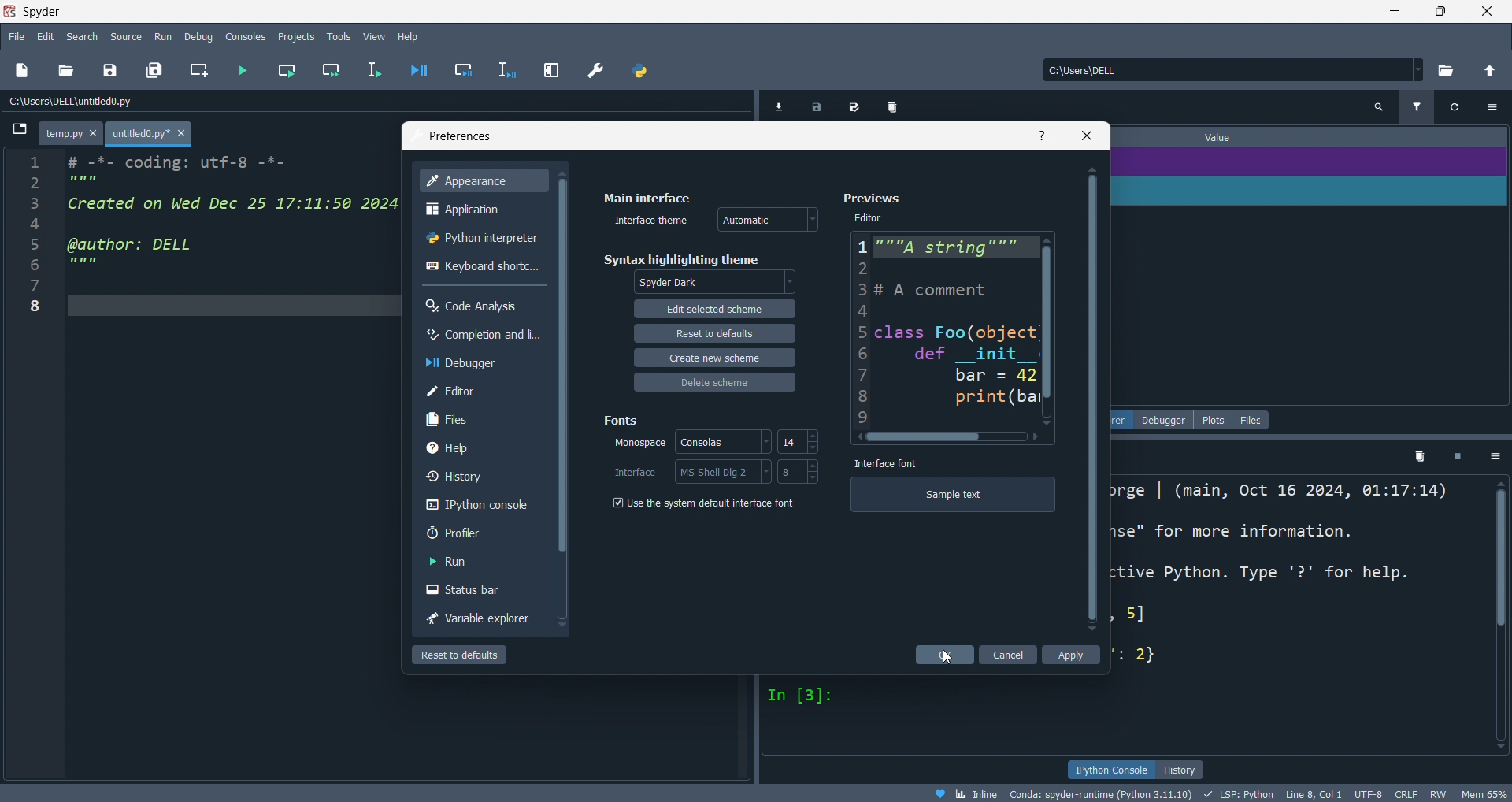 The image size is (1512, 802). Describe the element at coordinates (484, 181) in the screenshot. I see `appearance` at that location.